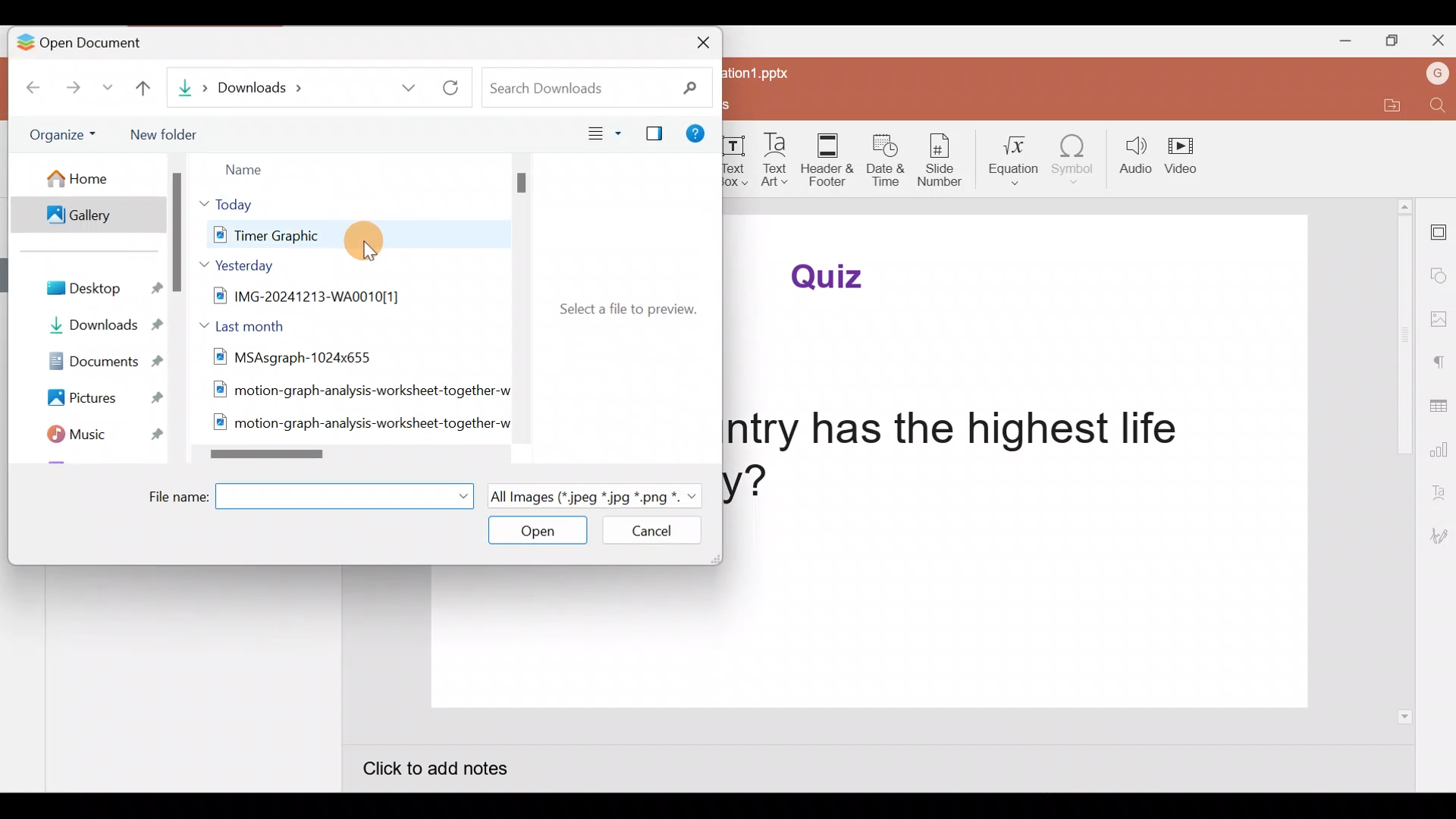 The image size is (1456, 819). Describe the element at coordinates (293, 168) in the screenshot. I see `Name` at that location.